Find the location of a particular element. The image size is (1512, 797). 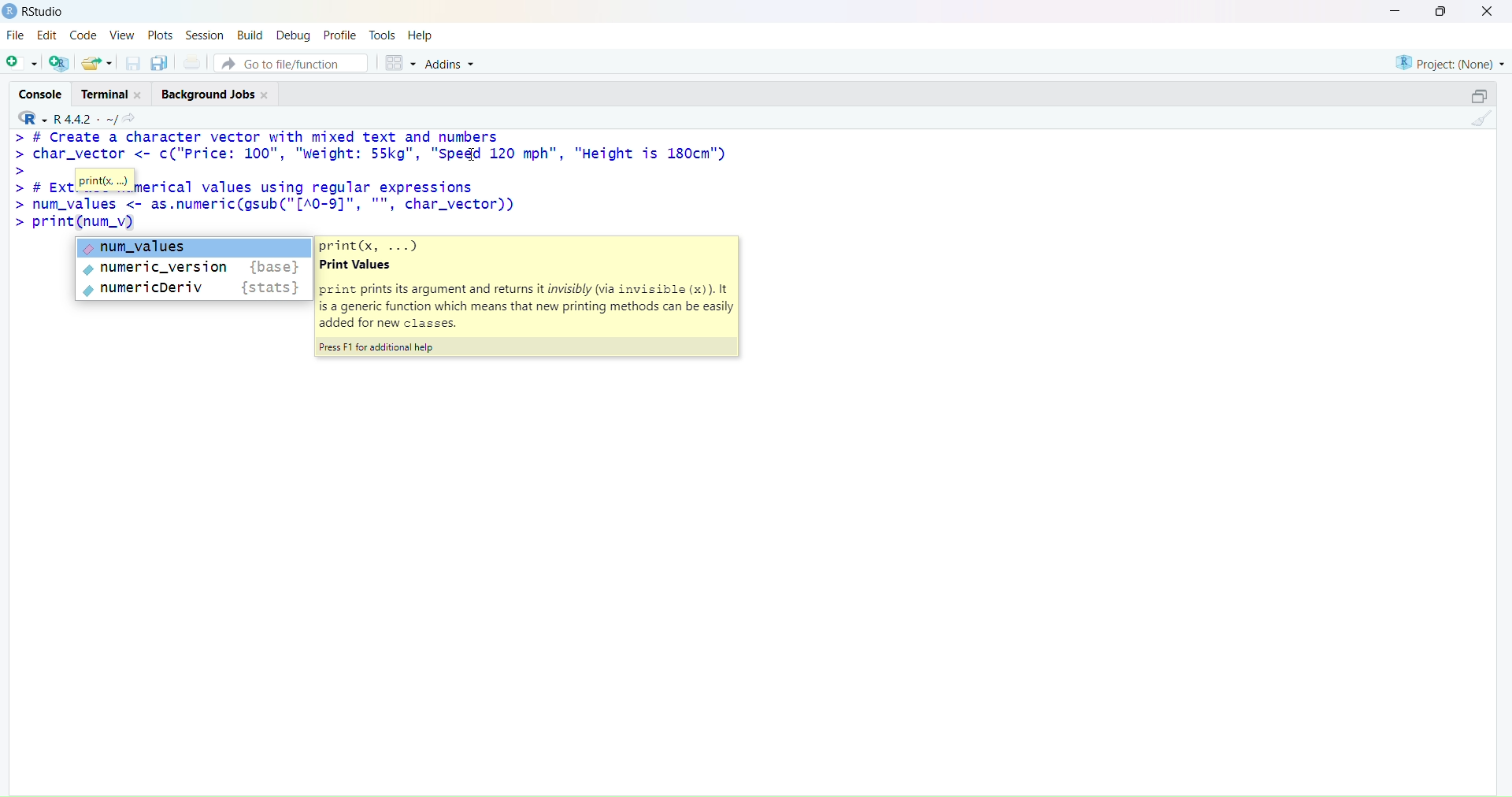

Addins is located at coordinates (451, 65).